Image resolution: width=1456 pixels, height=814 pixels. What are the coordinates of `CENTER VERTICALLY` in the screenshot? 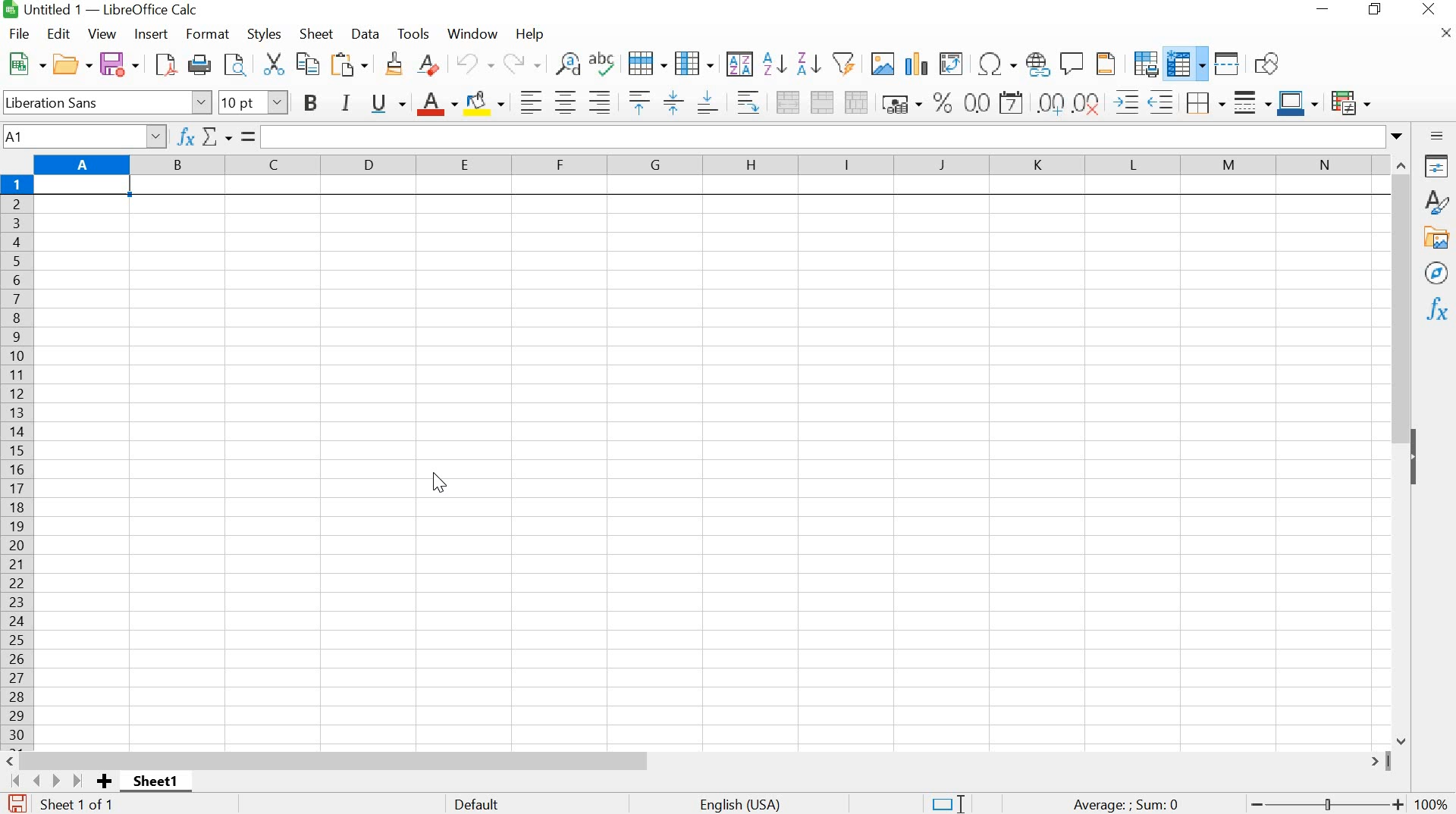 It's located at (673, 101).